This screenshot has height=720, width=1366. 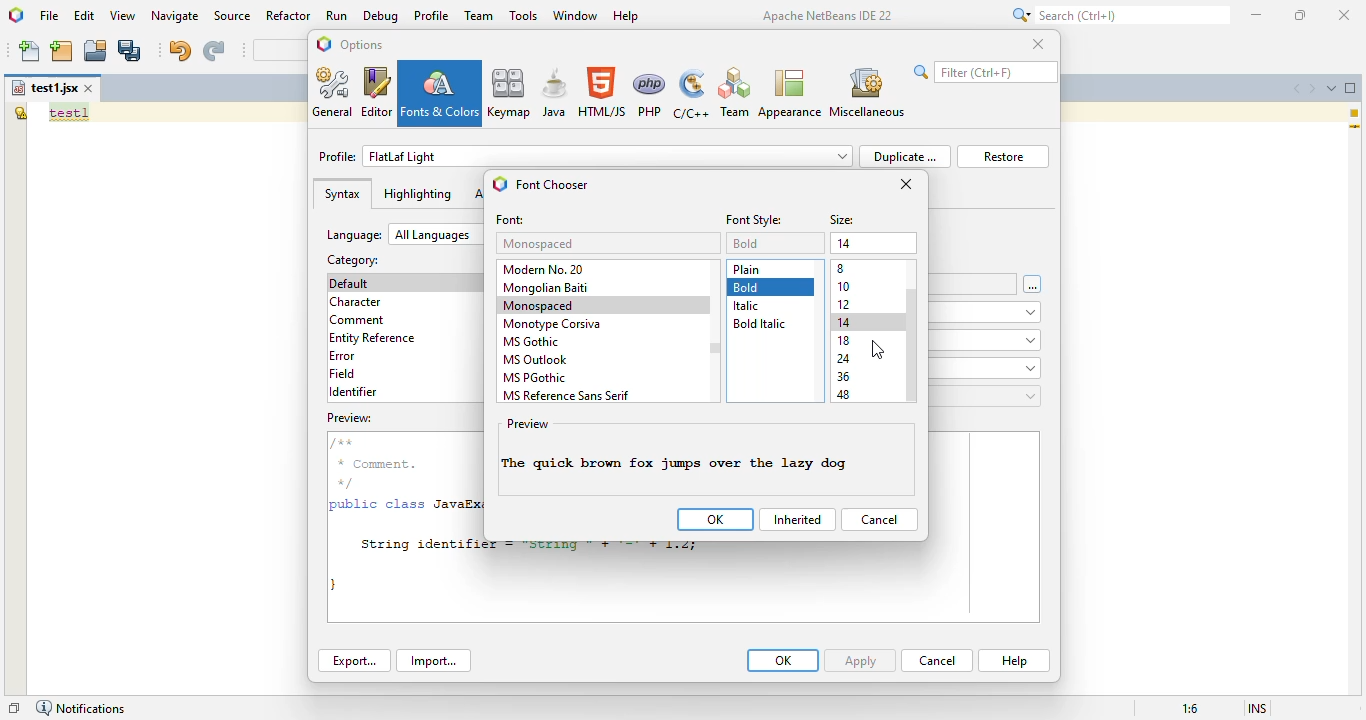 What do you see at coordinates (879, 350) in the screenshot?
I see `cursor` at bounding box center [879, 350].